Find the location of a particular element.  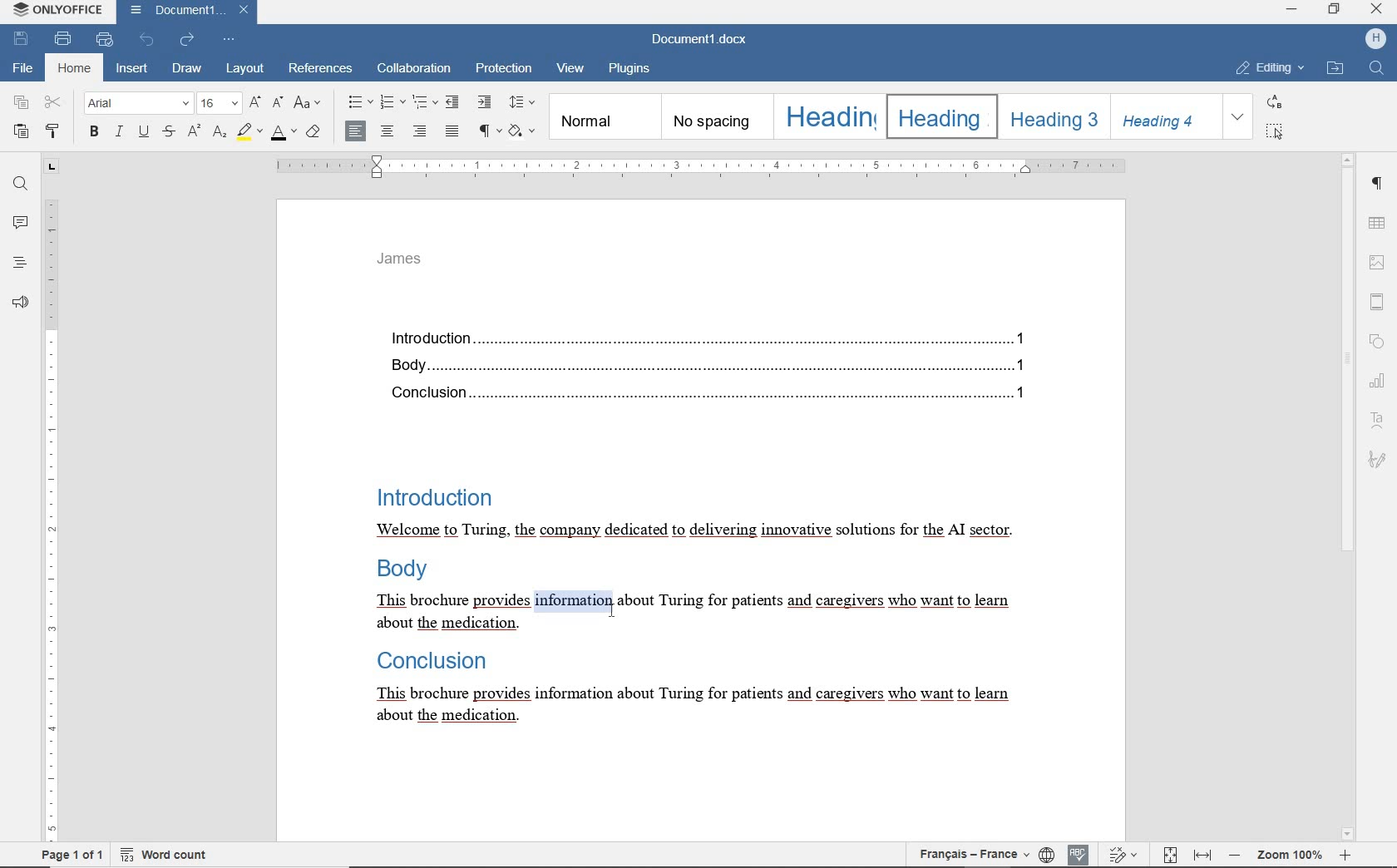

RULER is located at coordinates (698, 167).